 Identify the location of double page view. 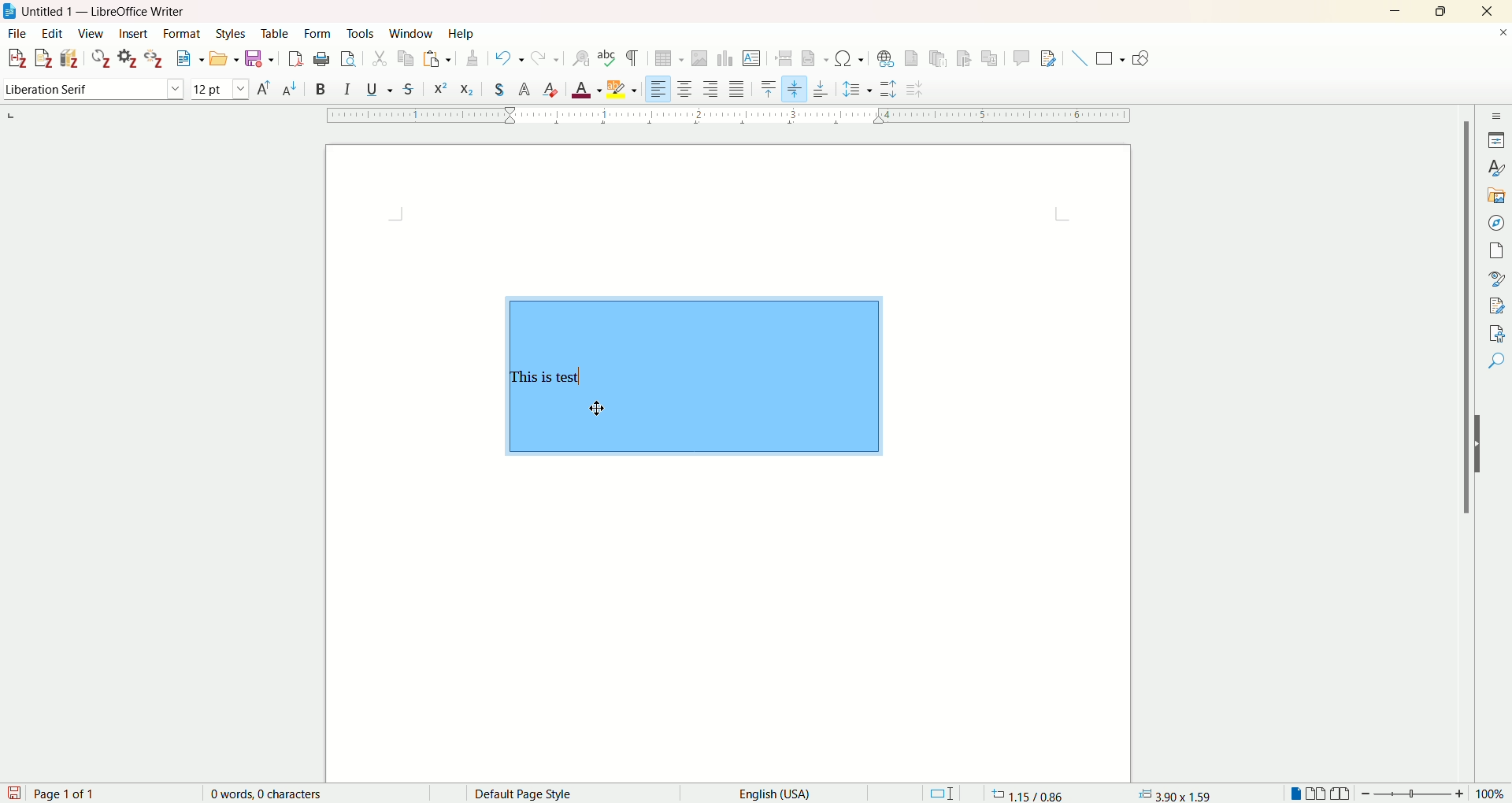
(1316, 792).